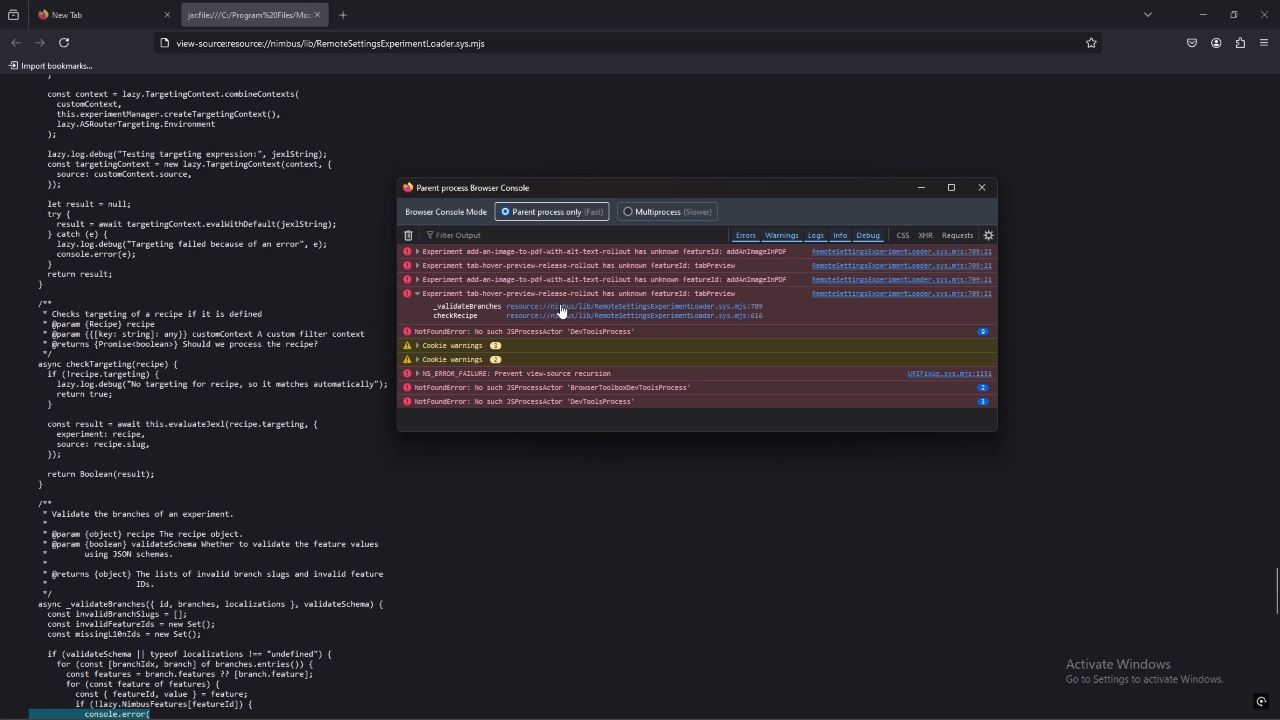 This screenshot has width=1280, height=720. Describe the element at coordinates (552, 211) in the screenshot. I see `parent process only` at that location.